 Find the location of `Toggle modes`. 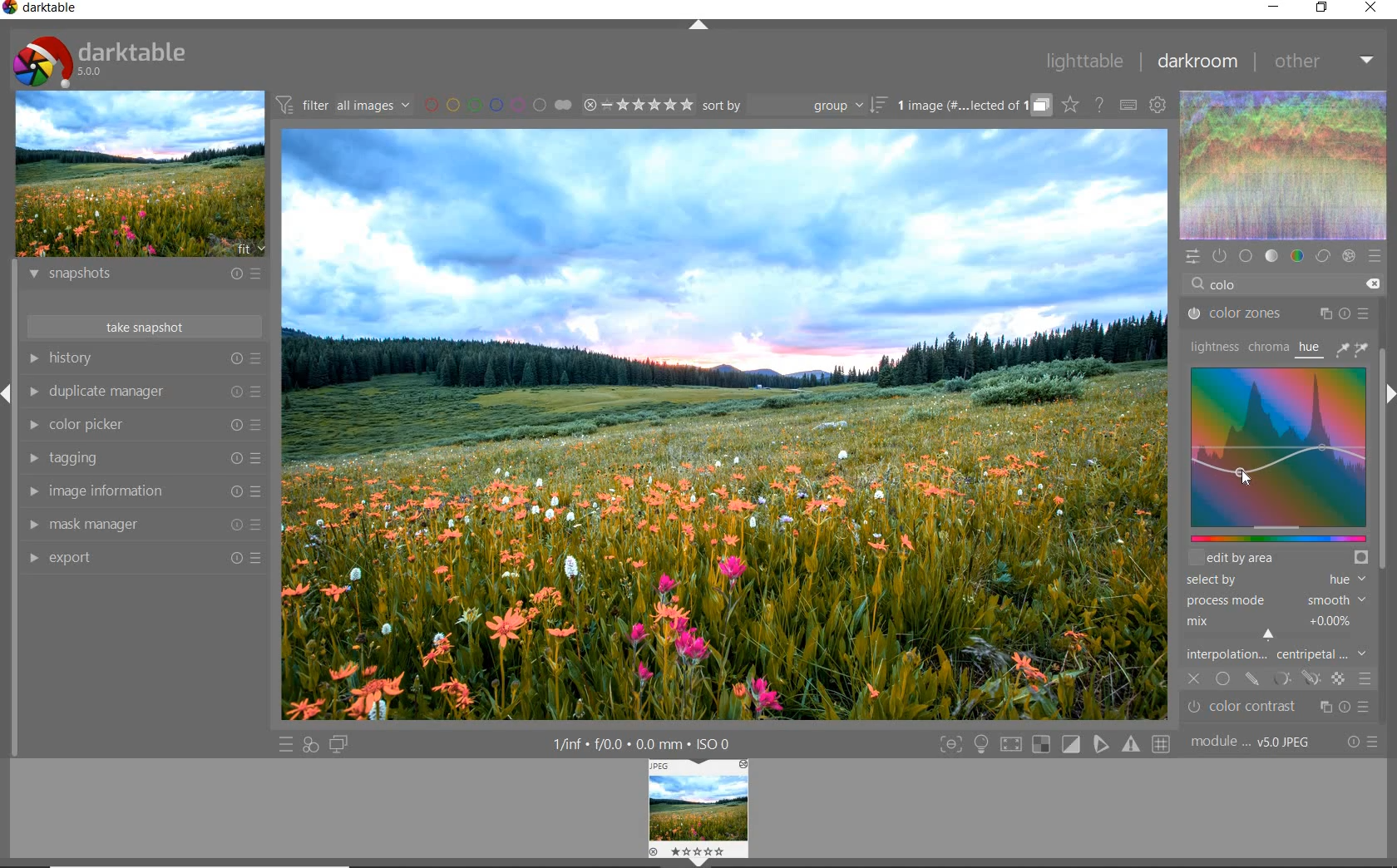

Toggle modes is located at coordinates (1054, 745).